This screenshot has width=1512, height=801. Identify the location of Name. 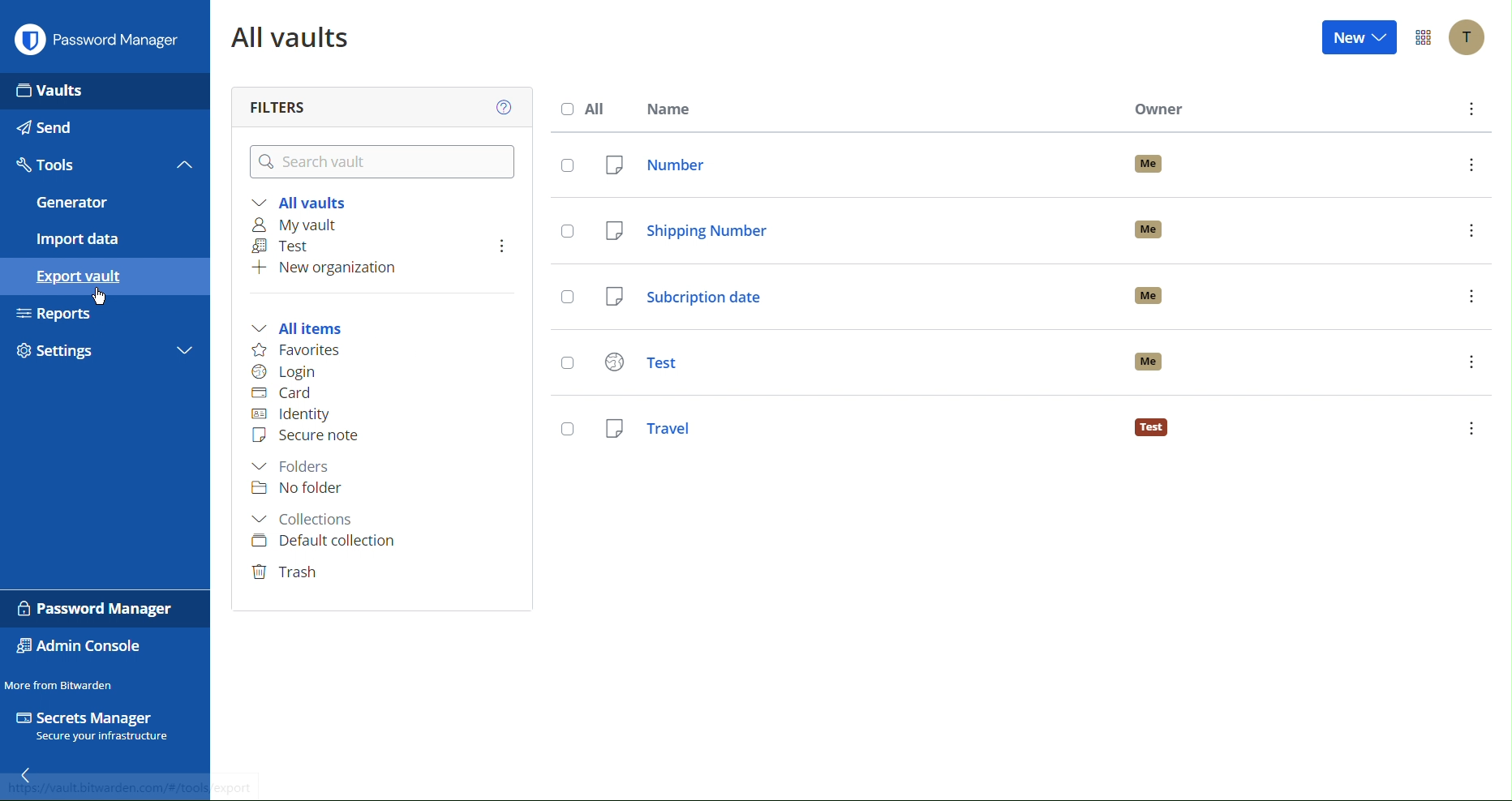
(666, 110).